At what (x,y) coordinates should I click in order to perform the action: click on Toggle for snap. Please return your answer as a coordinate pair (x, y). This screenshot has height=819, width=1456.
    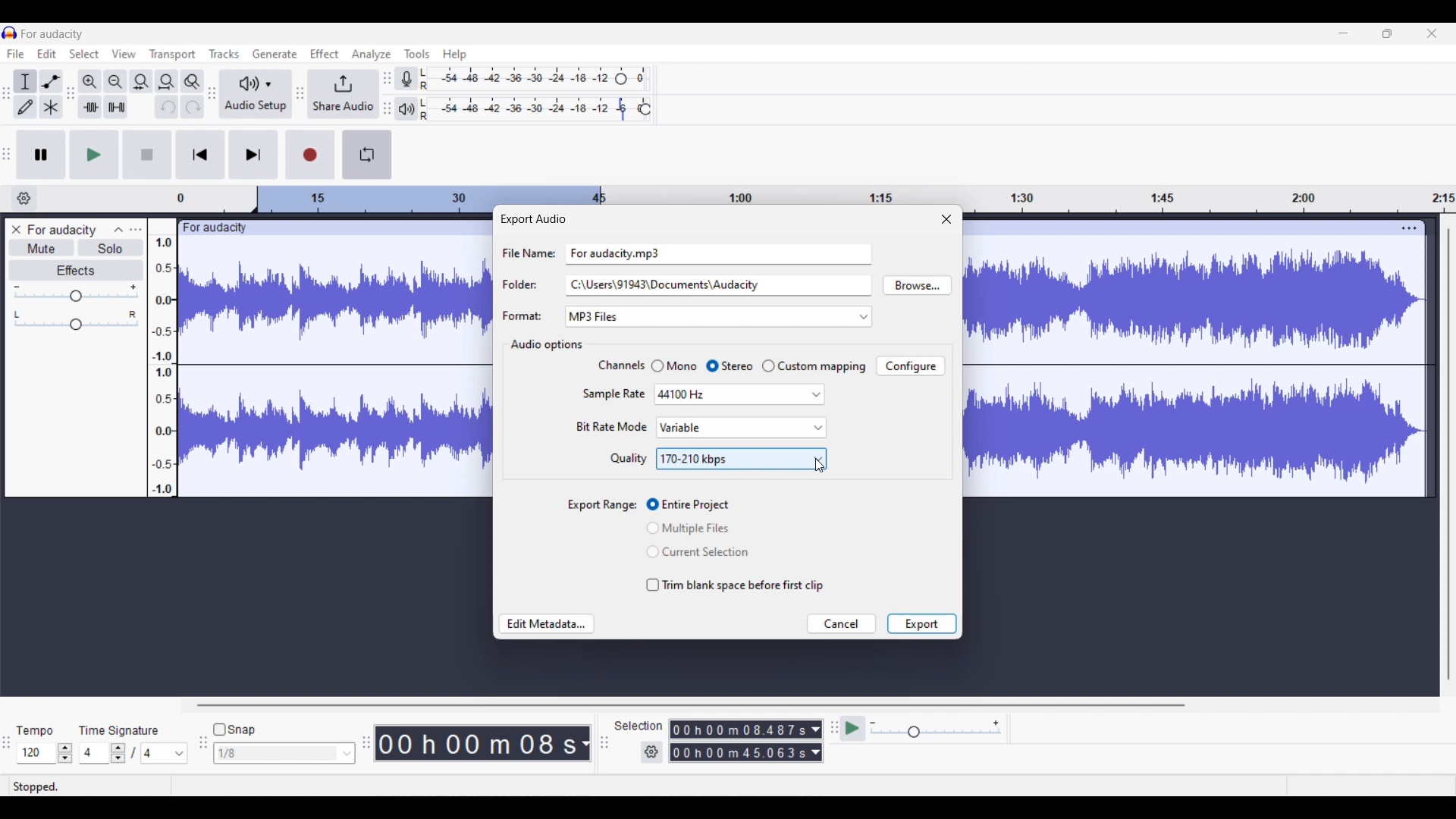
    Looking at the image, I should click on (234, 730).